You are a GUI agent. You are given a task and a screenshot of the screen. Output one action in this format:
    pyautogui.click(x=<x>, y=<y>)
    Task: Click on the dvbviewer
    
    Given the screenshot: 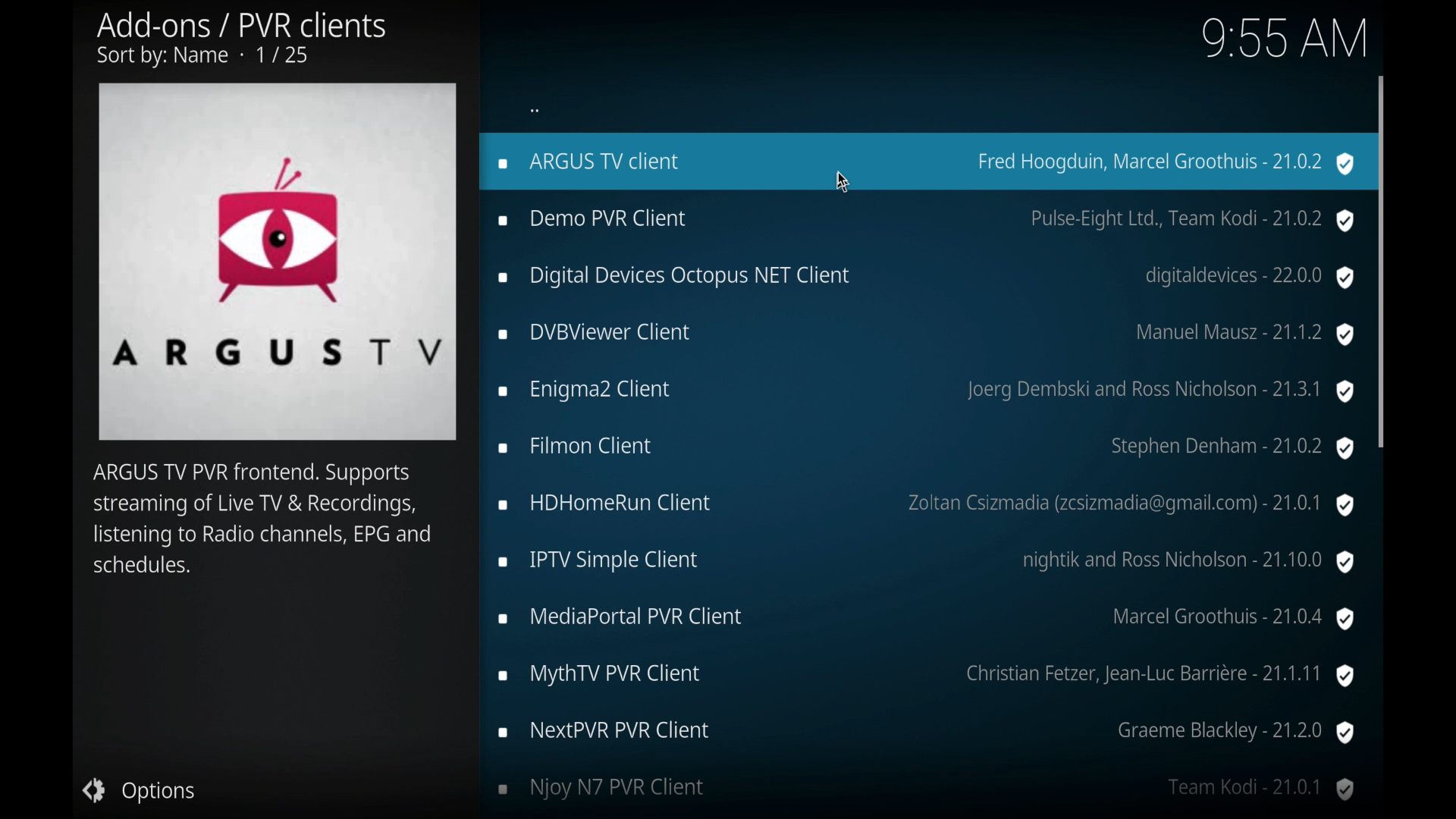 What is the action you would take?
    pyautogui.click(x=927, y=334)
    